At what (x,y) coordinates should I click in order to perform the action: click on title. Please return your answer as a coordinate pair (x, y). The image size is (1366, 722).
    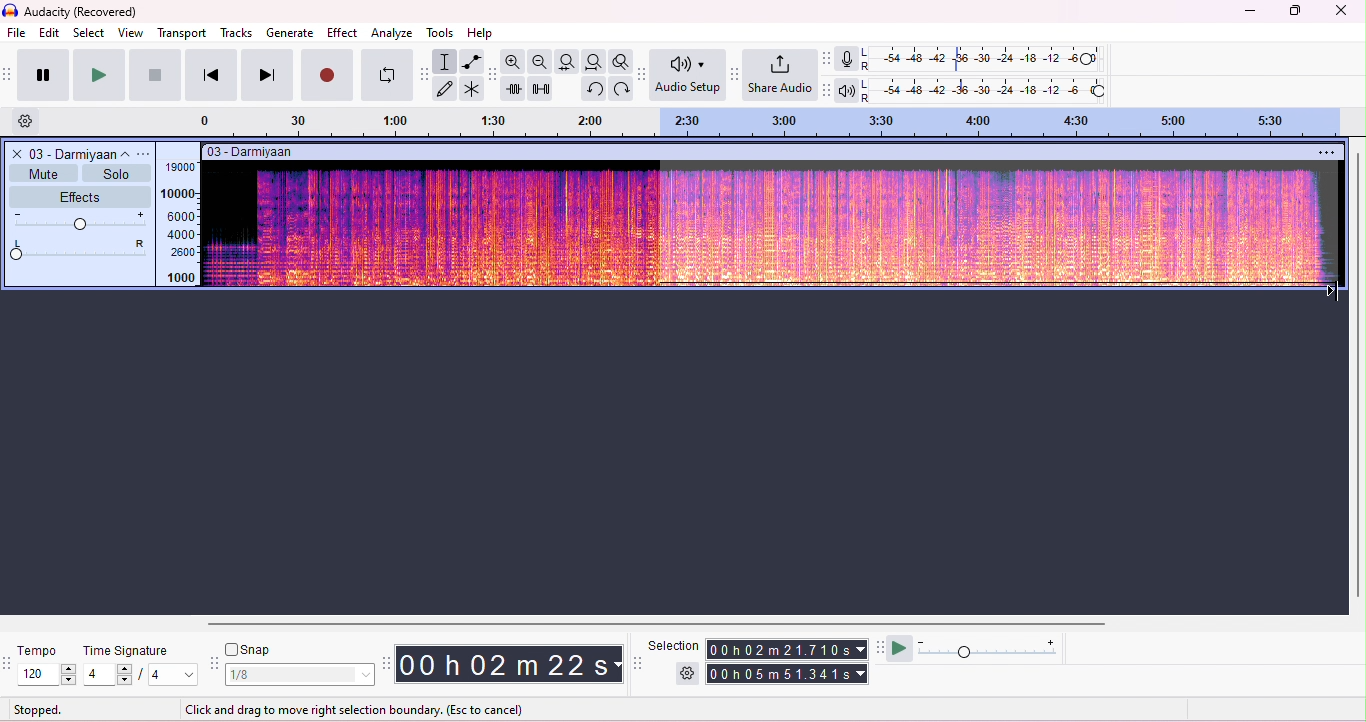
    Looking at the image, I should click on (73, 12).